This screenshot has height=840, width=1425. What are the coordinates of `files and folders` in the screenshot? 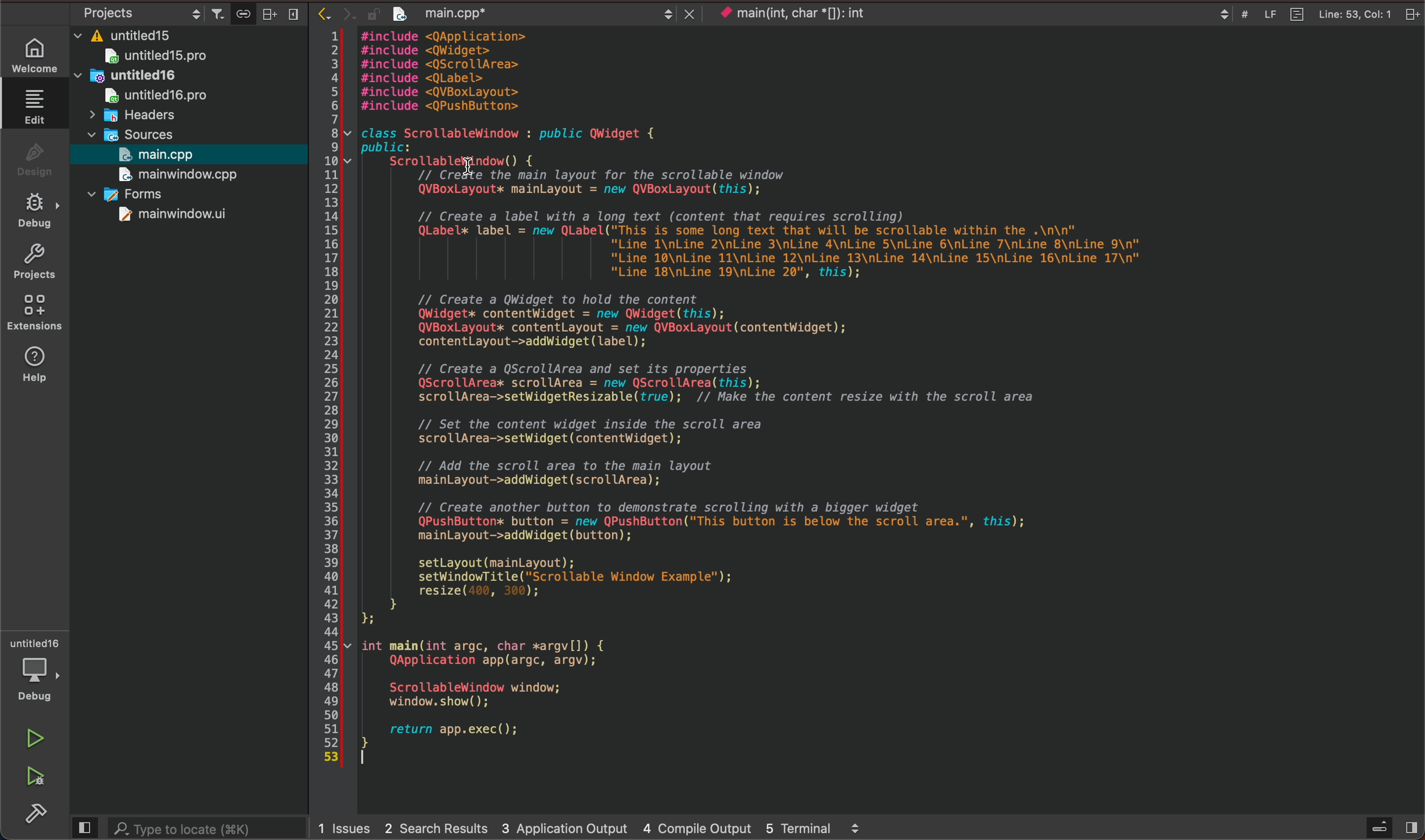 It's located at (187, 37).